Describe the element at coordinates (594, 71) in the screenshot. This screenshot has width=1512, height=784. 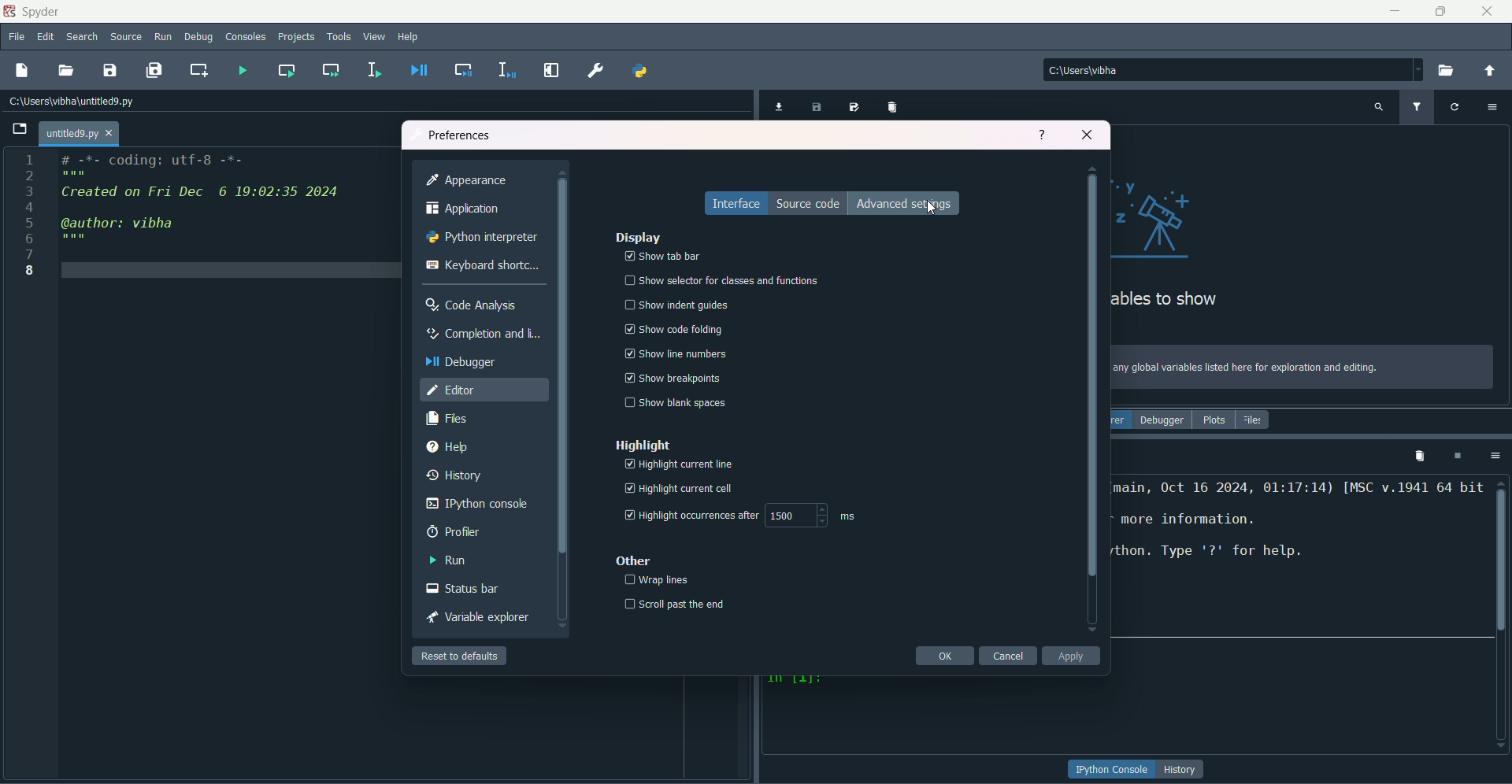
I see `preferences` at that location.